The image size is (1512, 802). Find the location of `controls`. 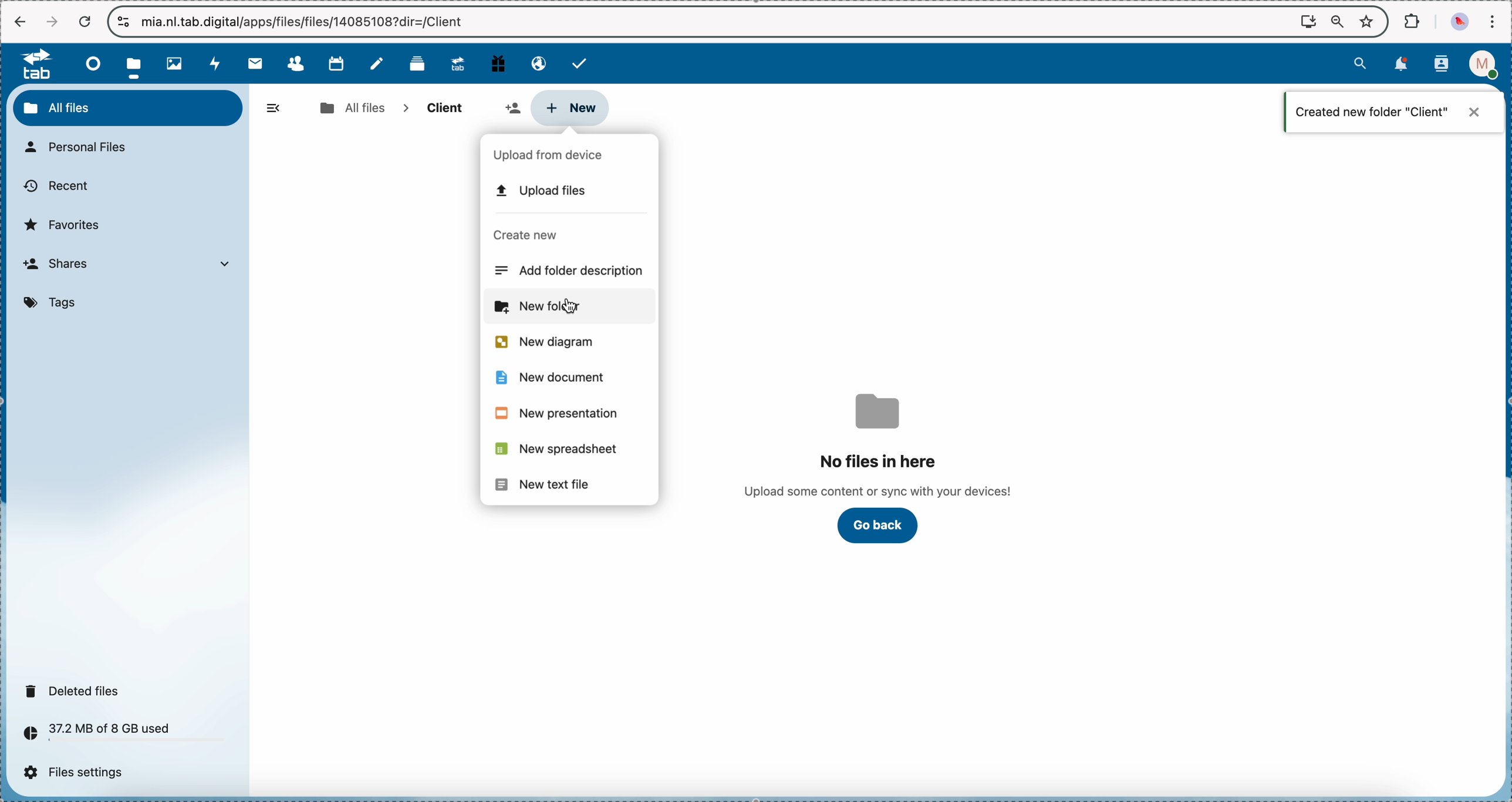

controls is located at coordinates (124, 22).